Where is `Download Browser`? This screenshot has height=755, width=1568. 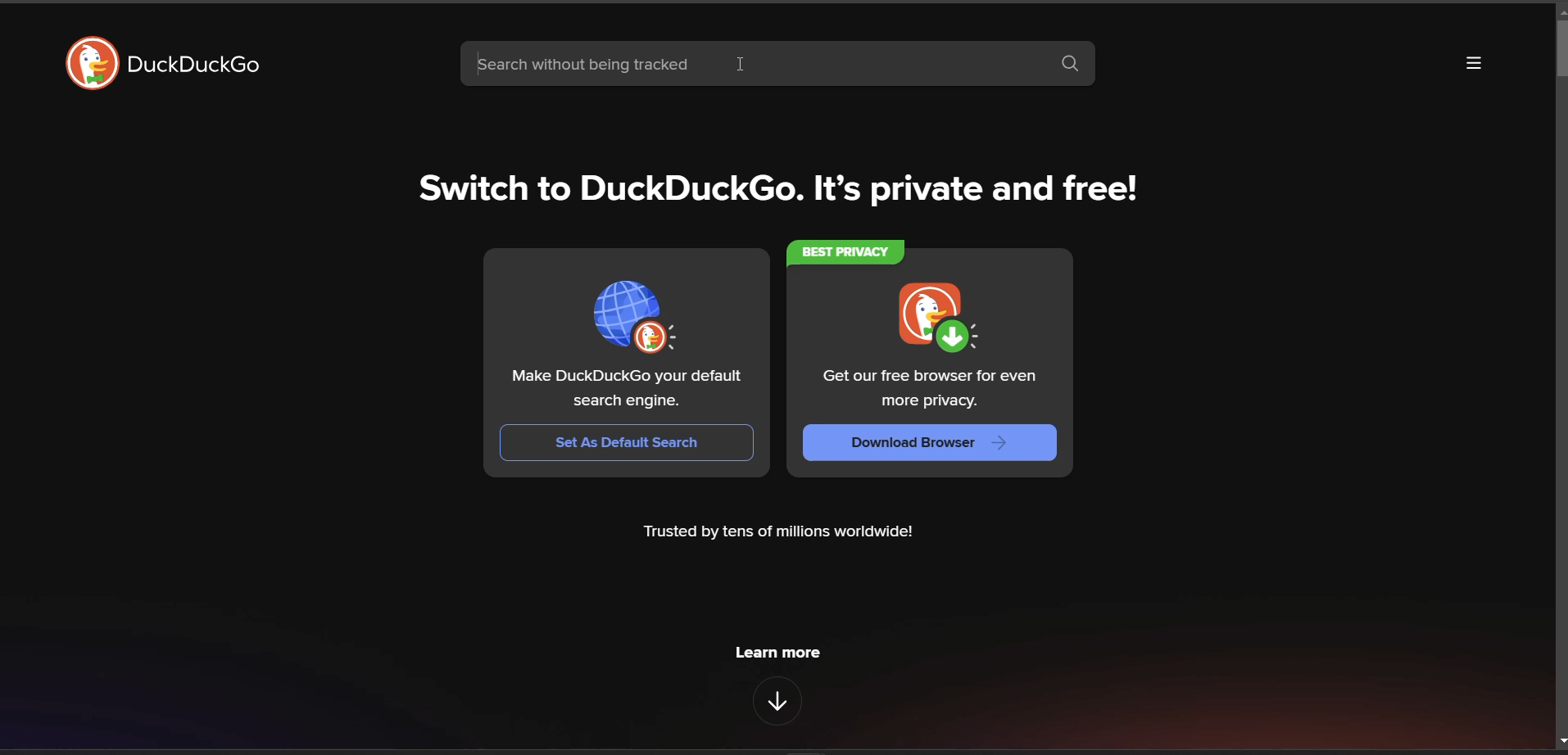 Download Browser is located at coordinates (930, 441).